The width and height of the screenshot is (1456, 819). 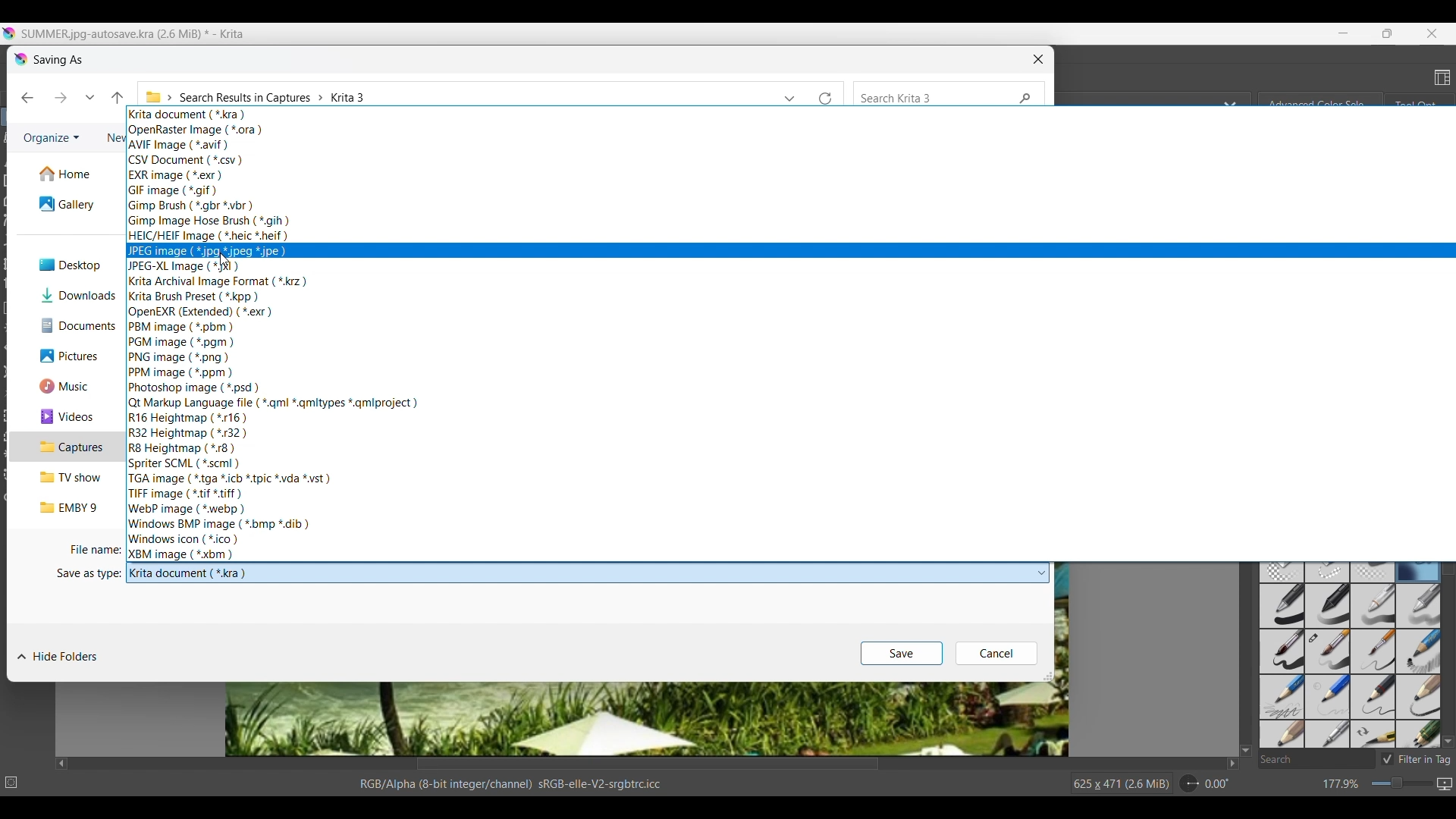 What do you see at coordinates (58, 657) in the screenshot?
I see `Hide folders currently visible` at bounding box center [58, 657].